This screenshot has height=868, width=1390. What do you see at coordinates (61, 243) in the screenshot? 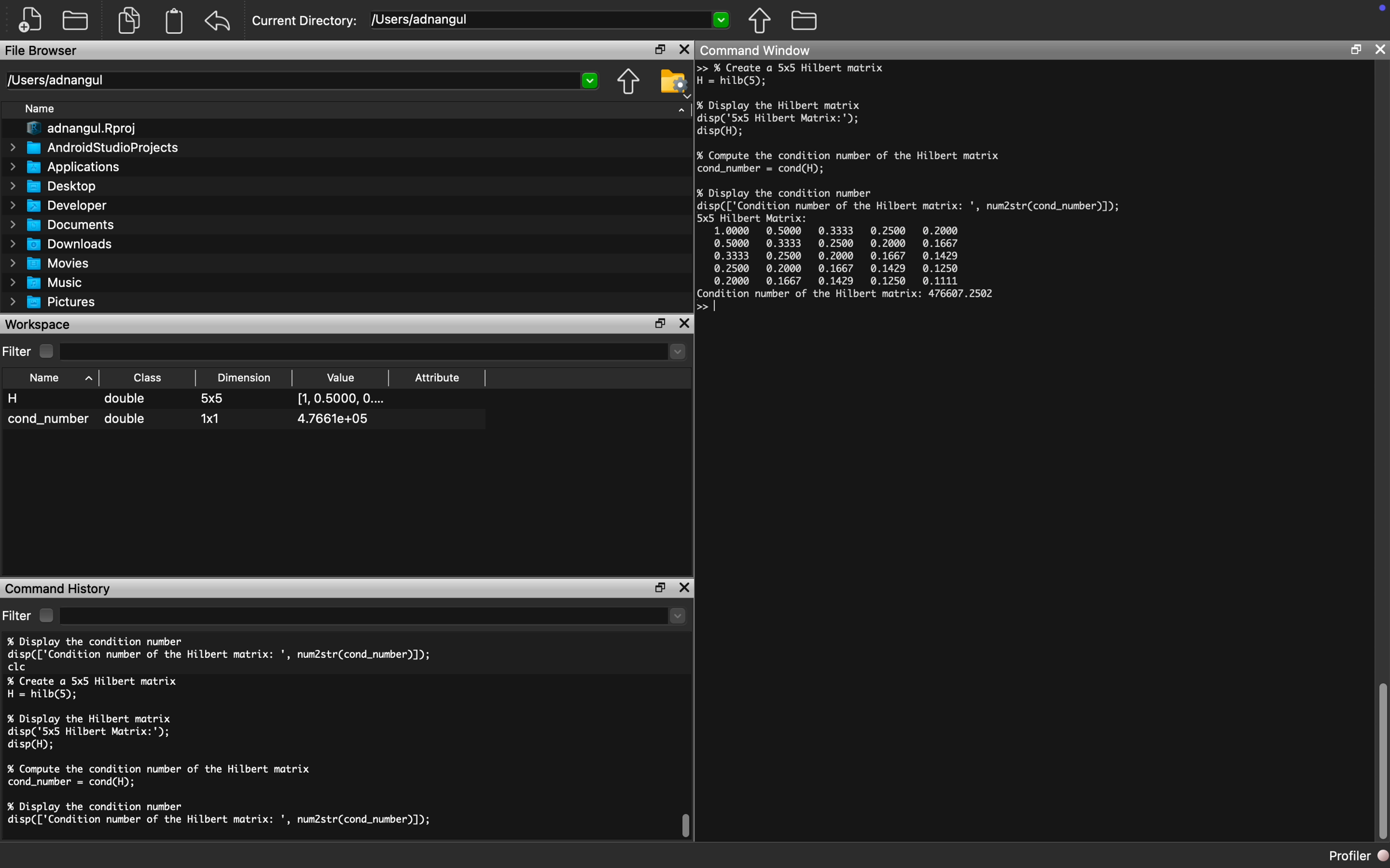
I see `Downloads` at bounding box center [61, 243].